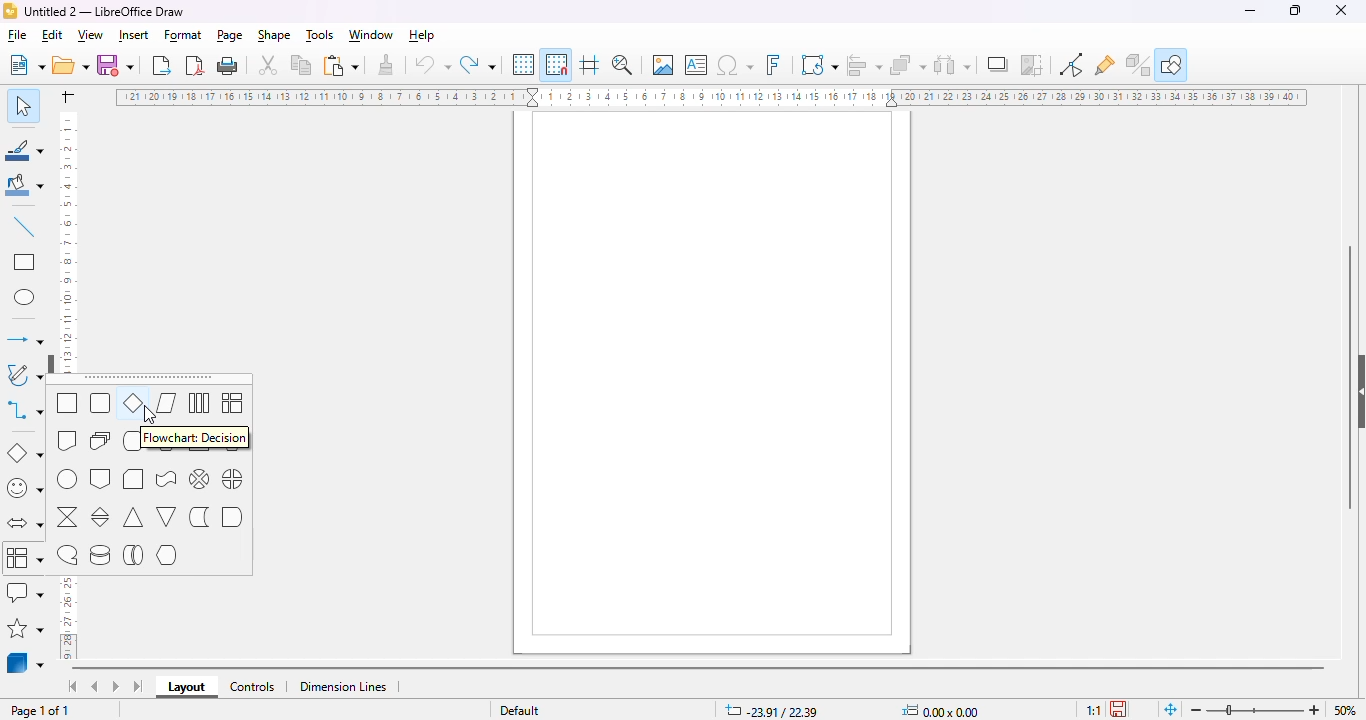 Image resolution: width=1366 pixels, height=720 pixels. I want to click on fill color, so click(24, 186).